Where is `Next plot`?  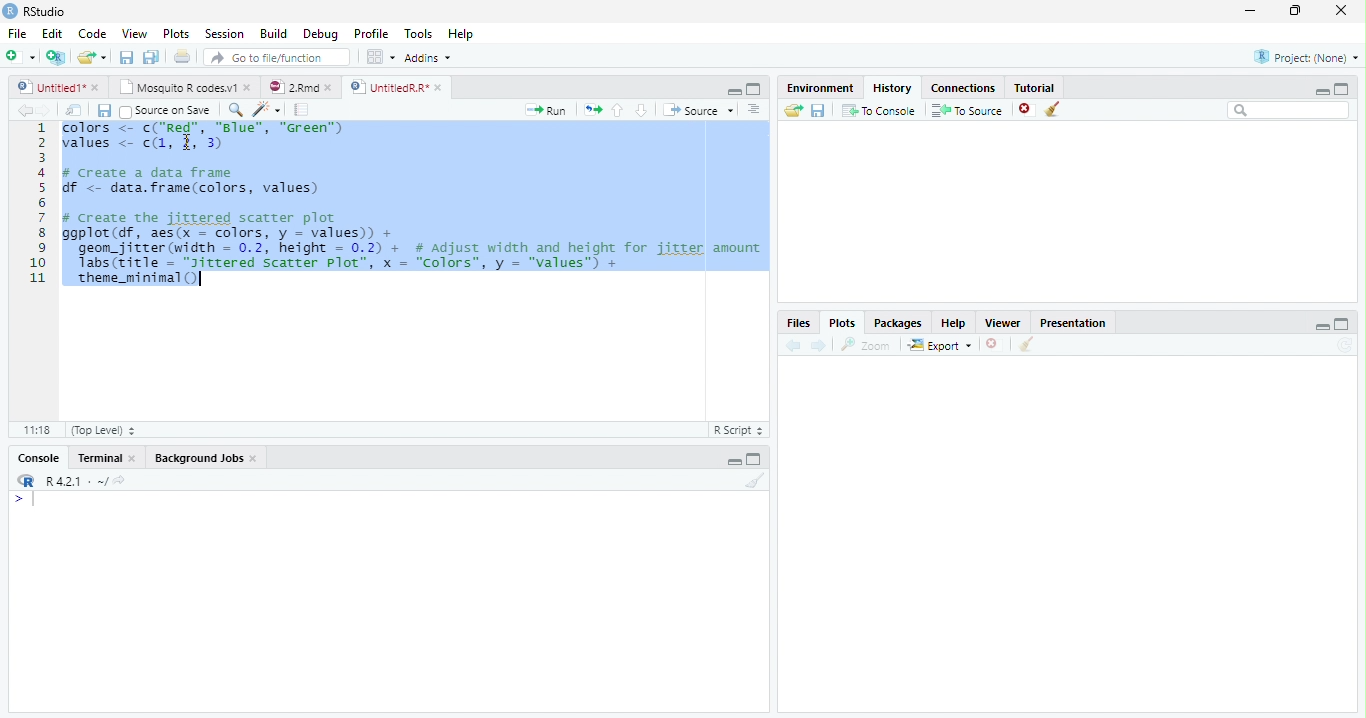
Next plot is located at coordinates (818, 345).